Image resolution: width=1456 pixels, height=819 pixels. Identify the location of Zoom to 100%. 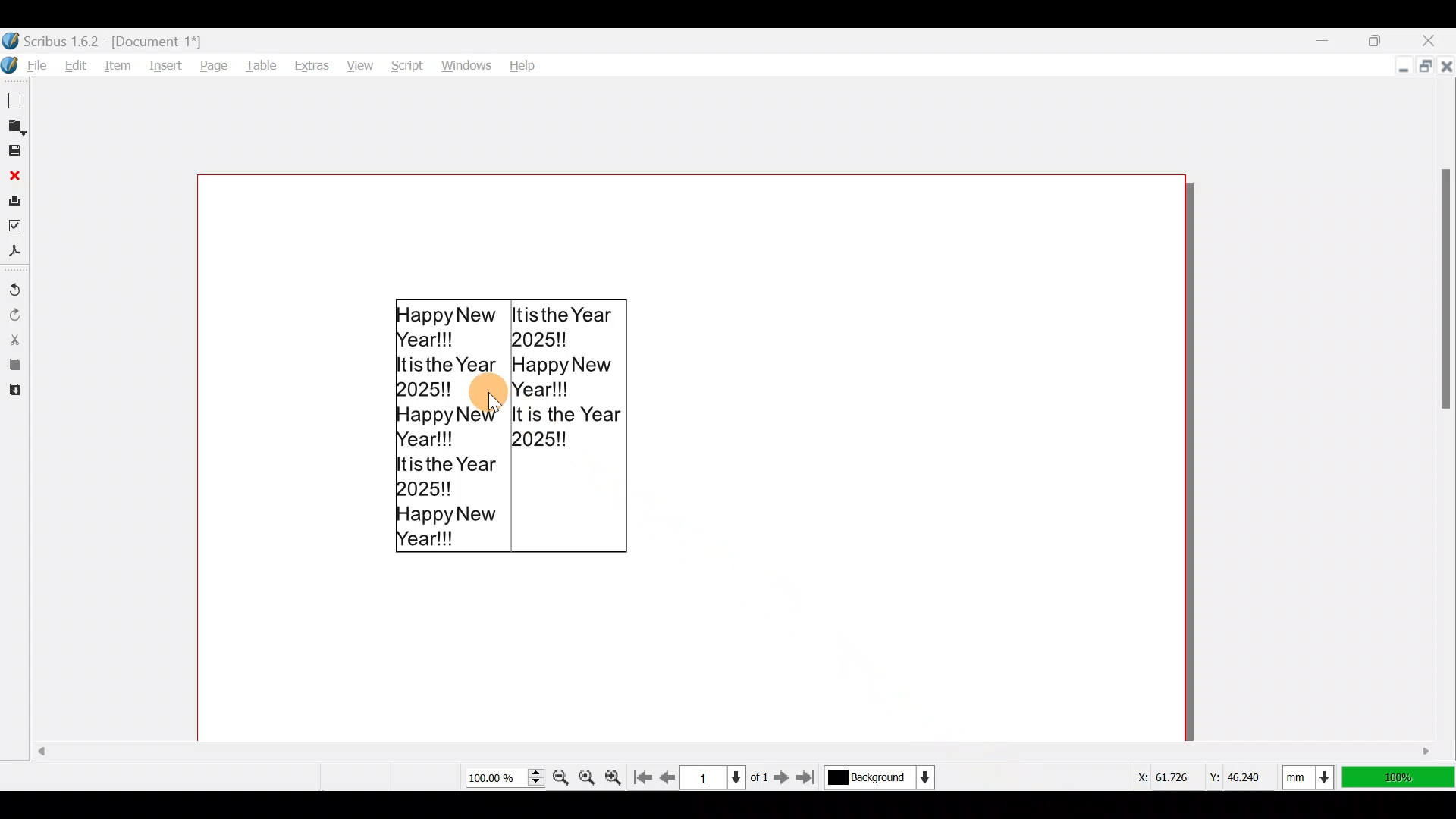
(588, 774).